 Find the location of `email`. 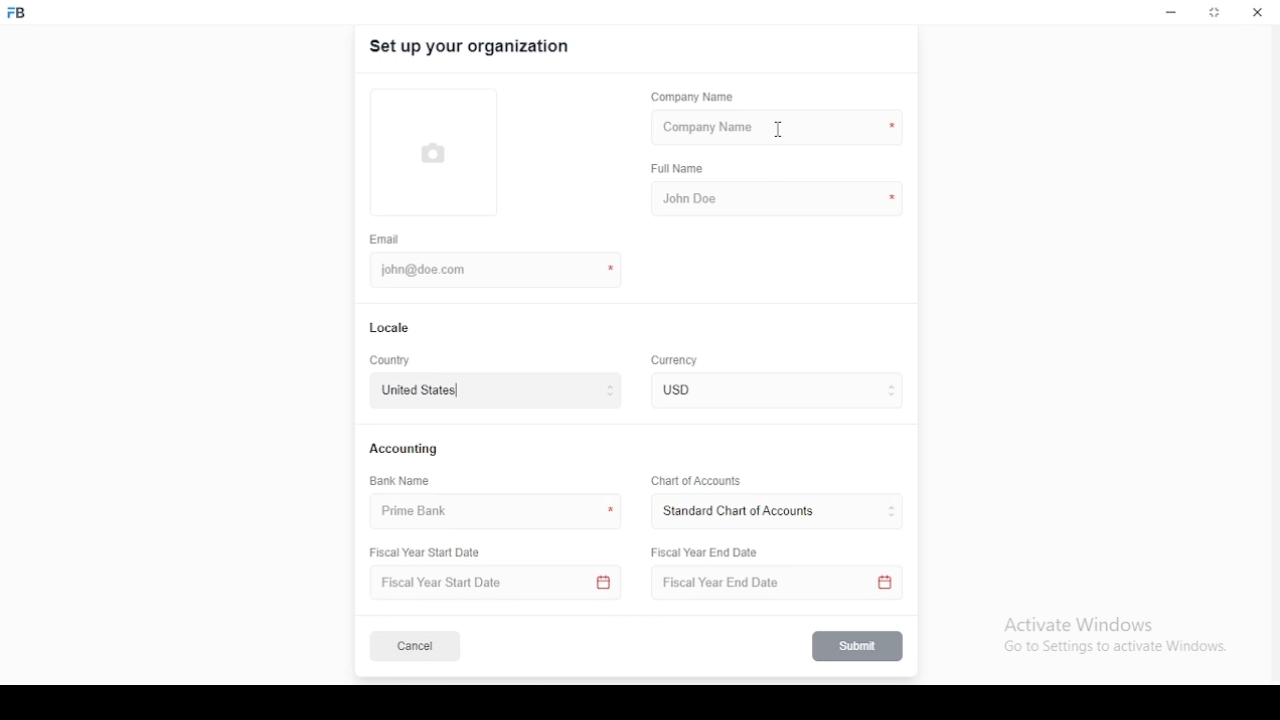

email is located at coordinates (385, 239).